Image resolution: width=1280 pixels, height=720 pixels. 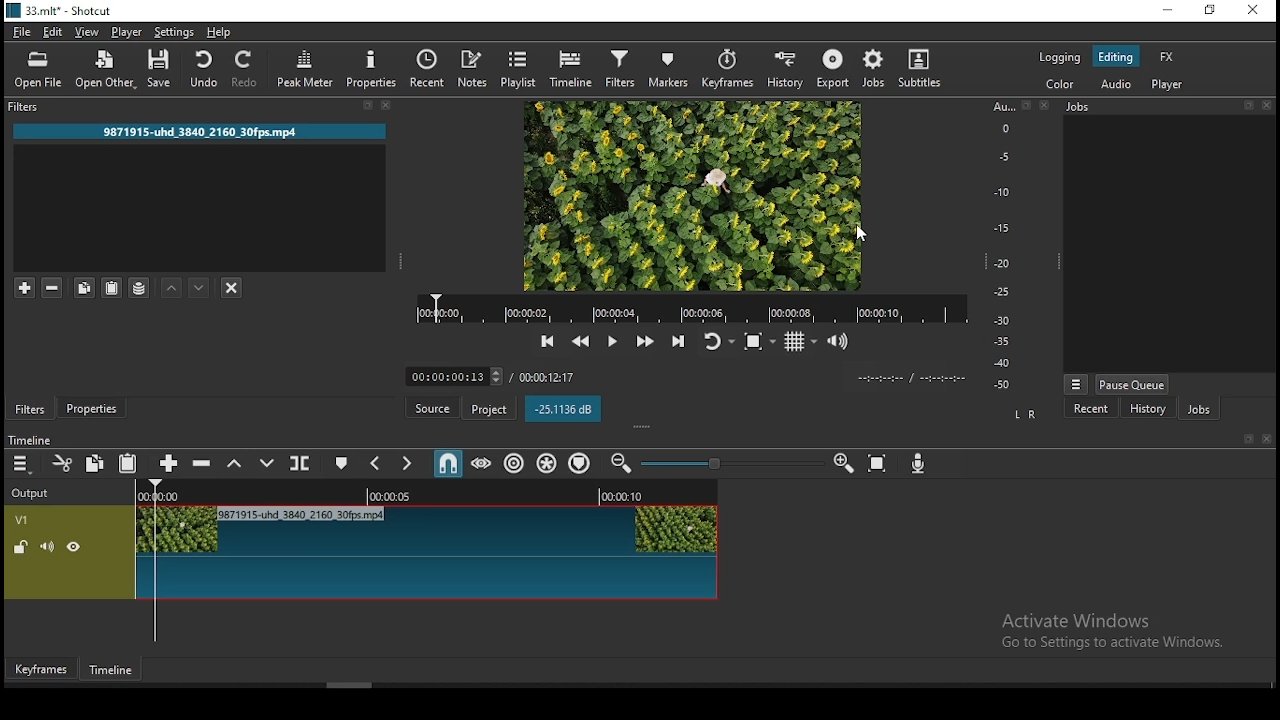 I want to click on close, so click(x=1267, y=441).